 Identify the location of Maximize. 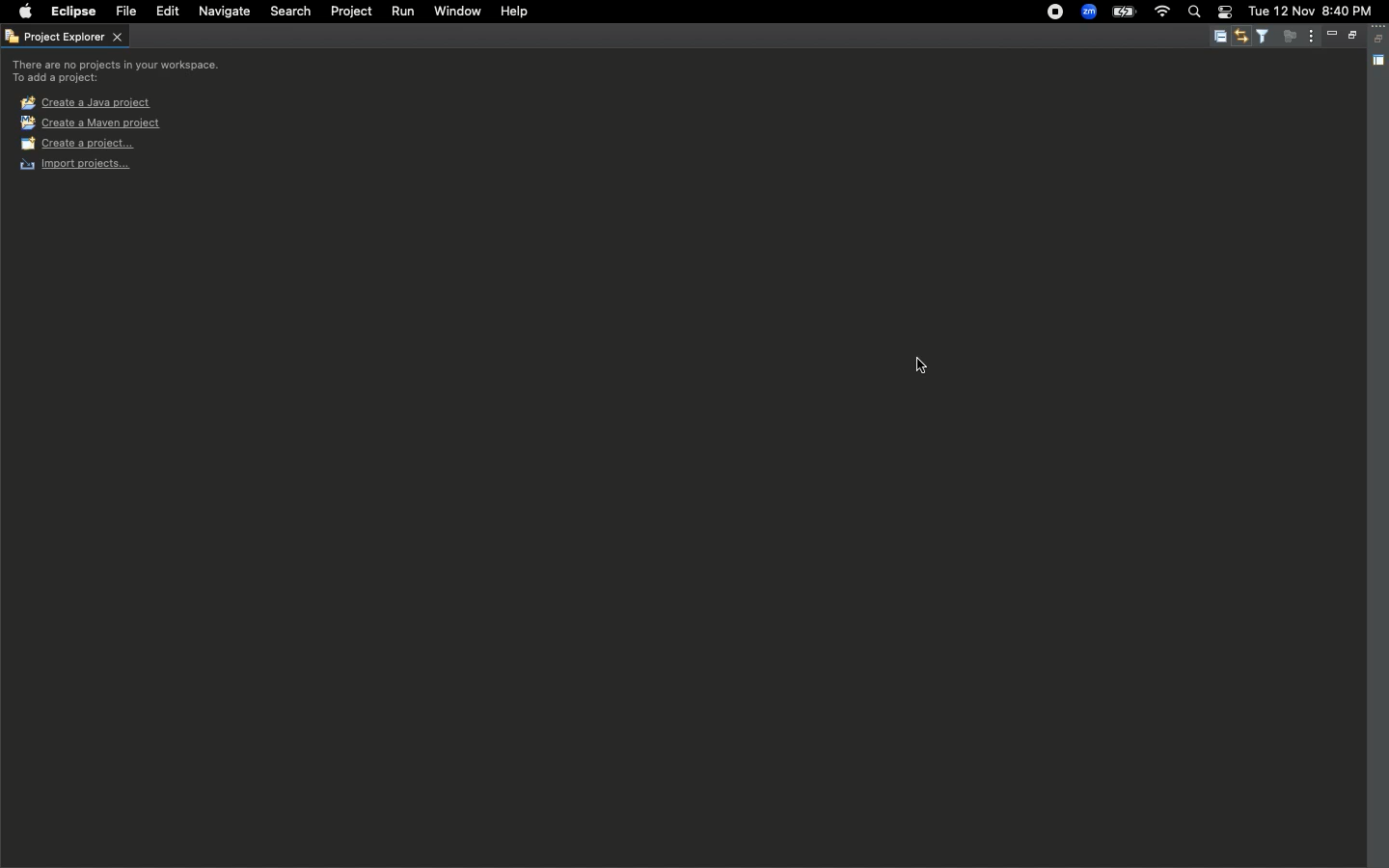
(1350, 37).